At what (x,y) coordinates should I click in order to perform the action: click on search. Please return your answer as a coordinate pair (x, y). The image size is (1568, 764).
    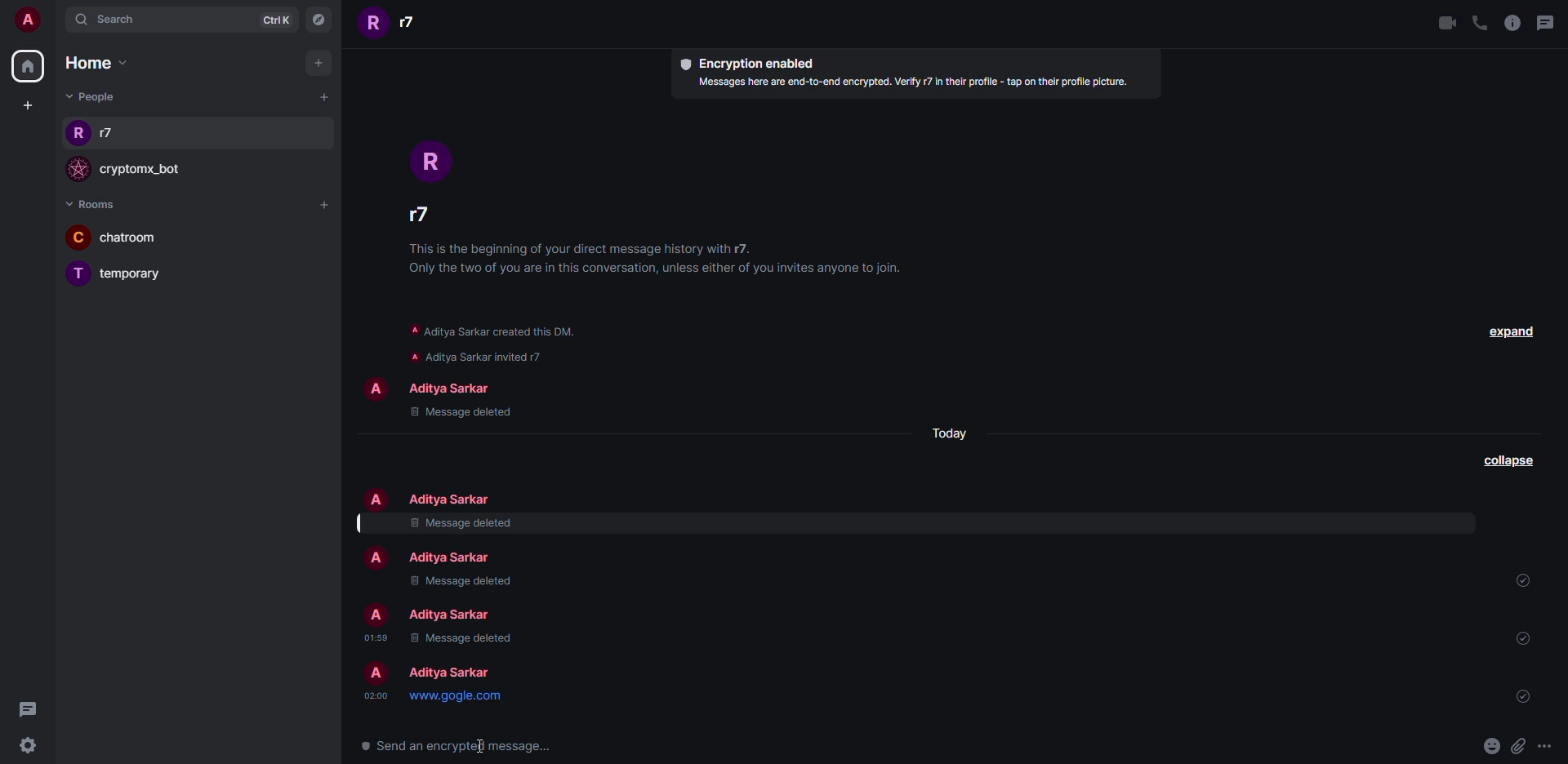
    Looking at the image, I should click on (122, 20).